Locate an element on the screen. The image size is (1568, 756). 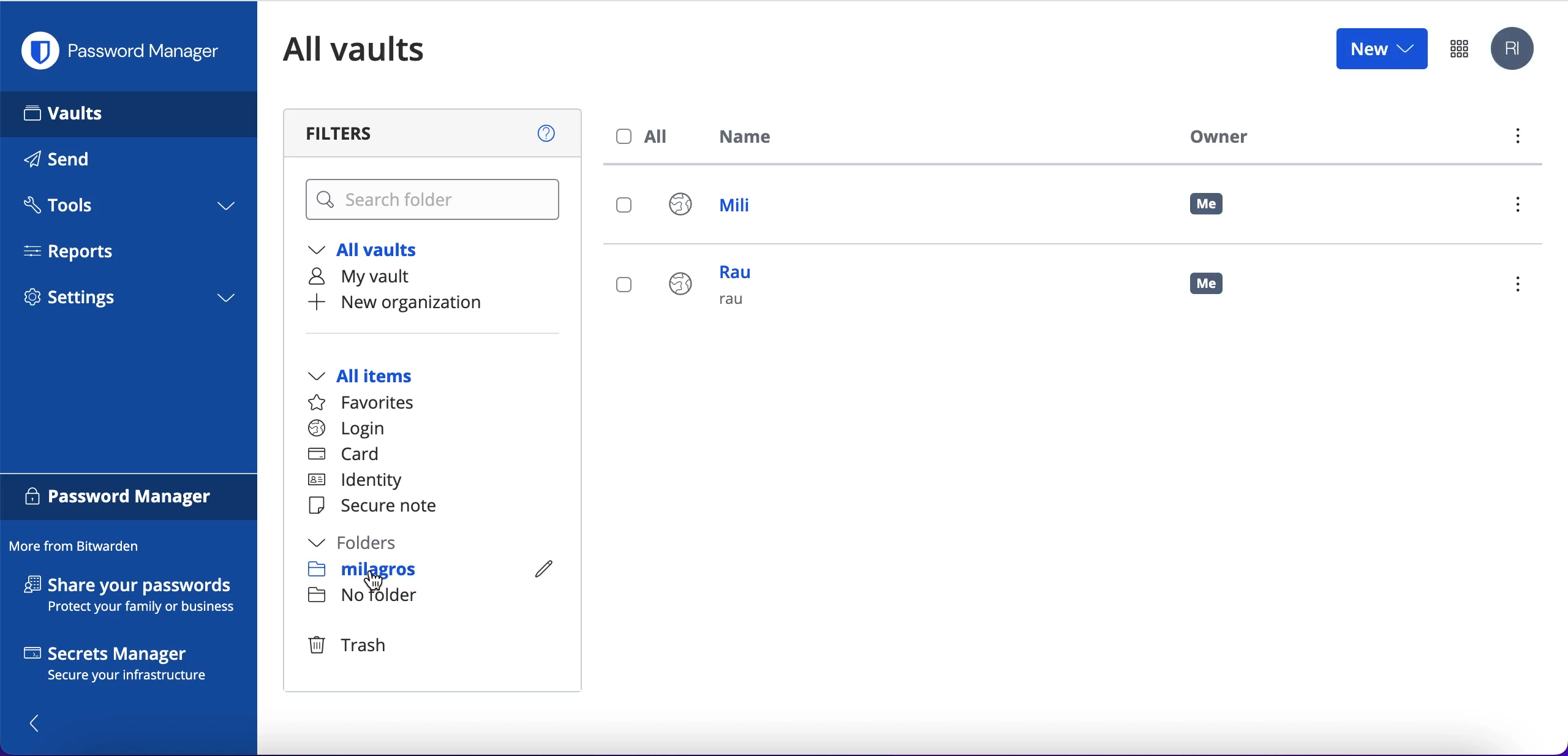
filters is located at coordinates (435, 133).